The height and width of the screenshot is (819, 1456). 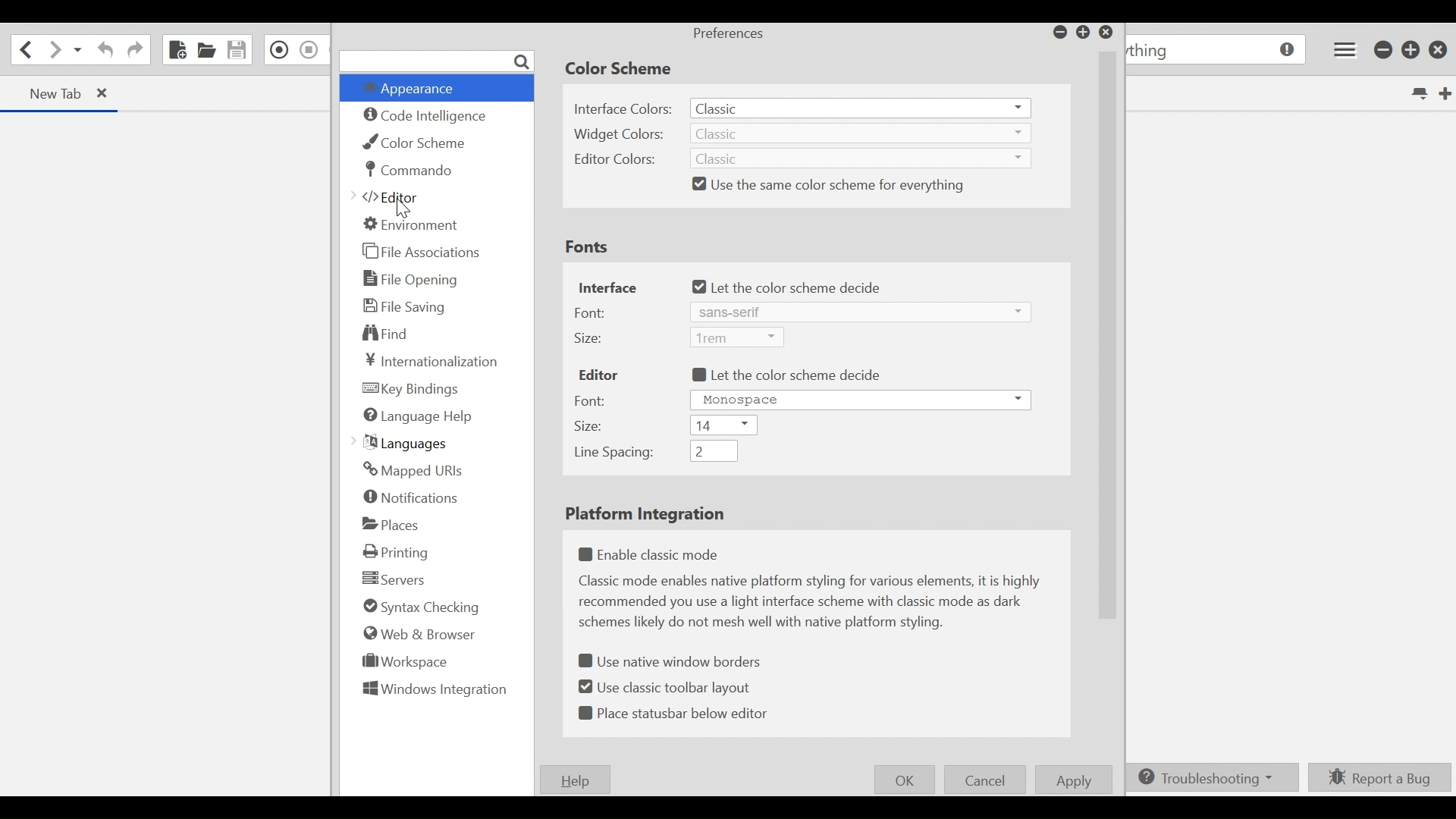 What do you see at coordinates (611, 287) in the screenshot?
I see `Interface` at bounding box center [611, 287].